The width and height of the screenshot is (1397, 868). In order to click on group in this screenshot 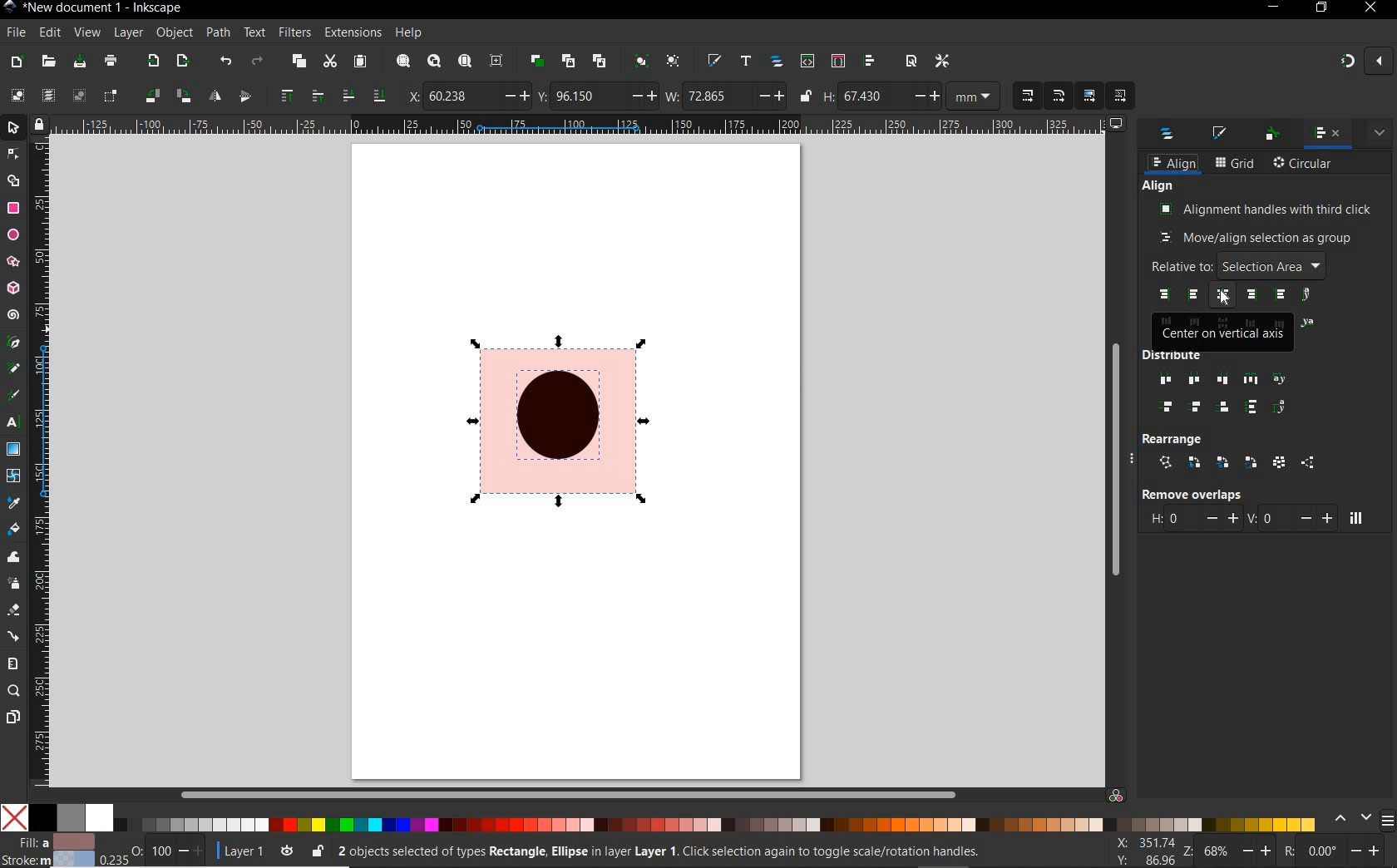, I will do `click(643, 62)`.